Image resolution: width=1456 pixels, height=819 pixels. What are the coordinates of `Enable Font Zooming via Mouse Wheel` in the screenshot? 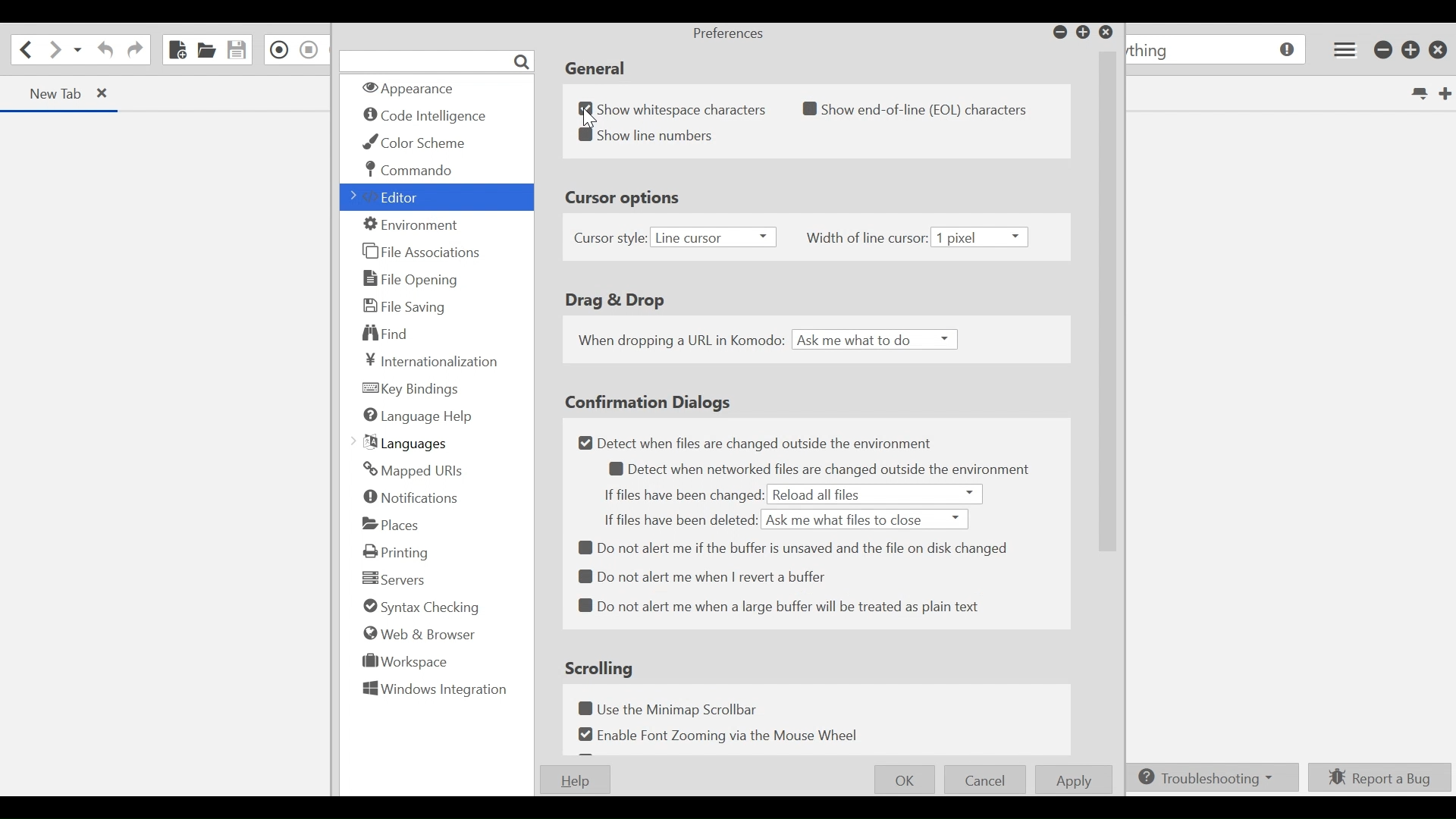 It's located at (716, 734).